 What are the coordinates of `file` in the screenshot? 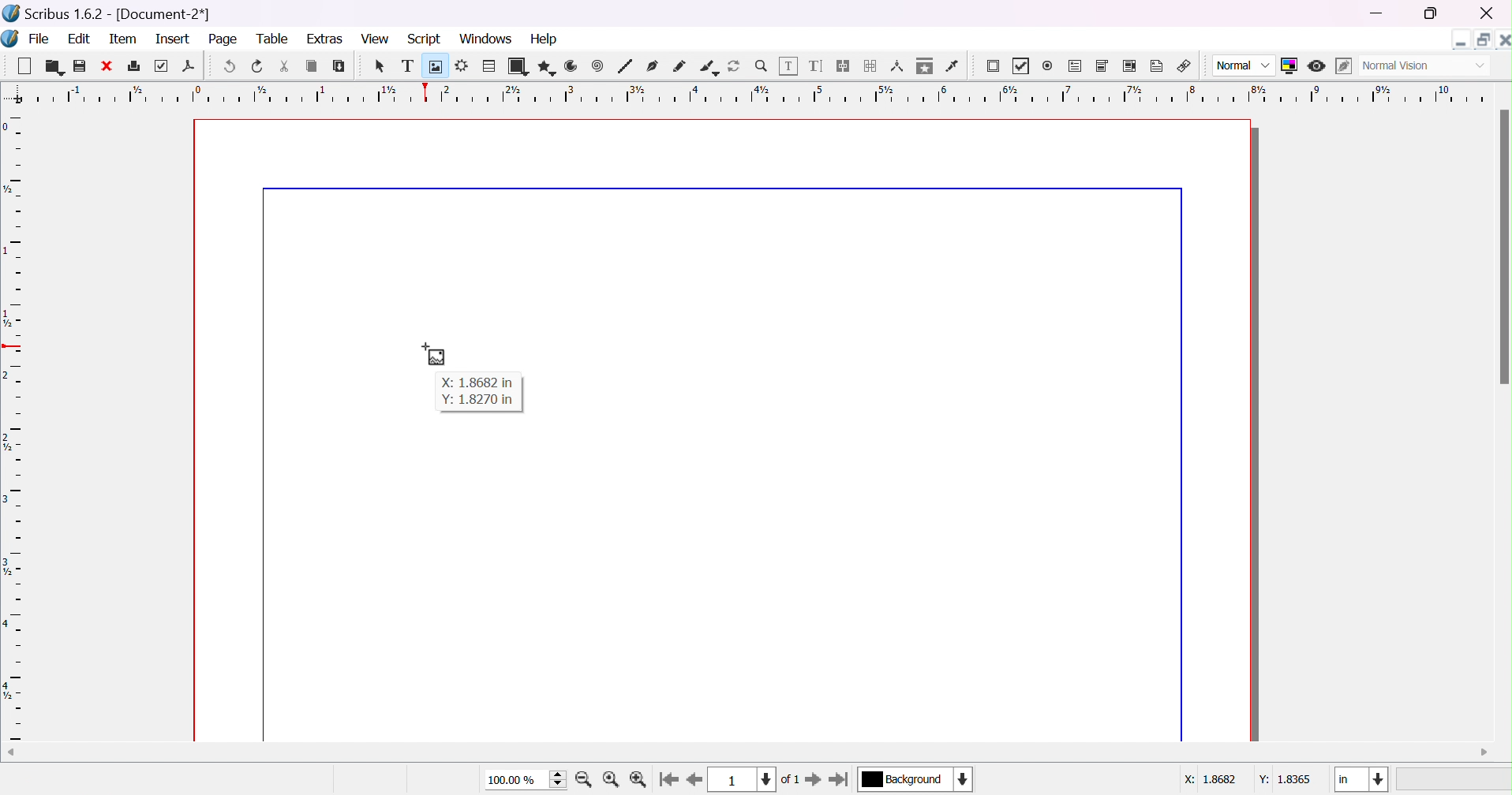 It's located at (39, 38).